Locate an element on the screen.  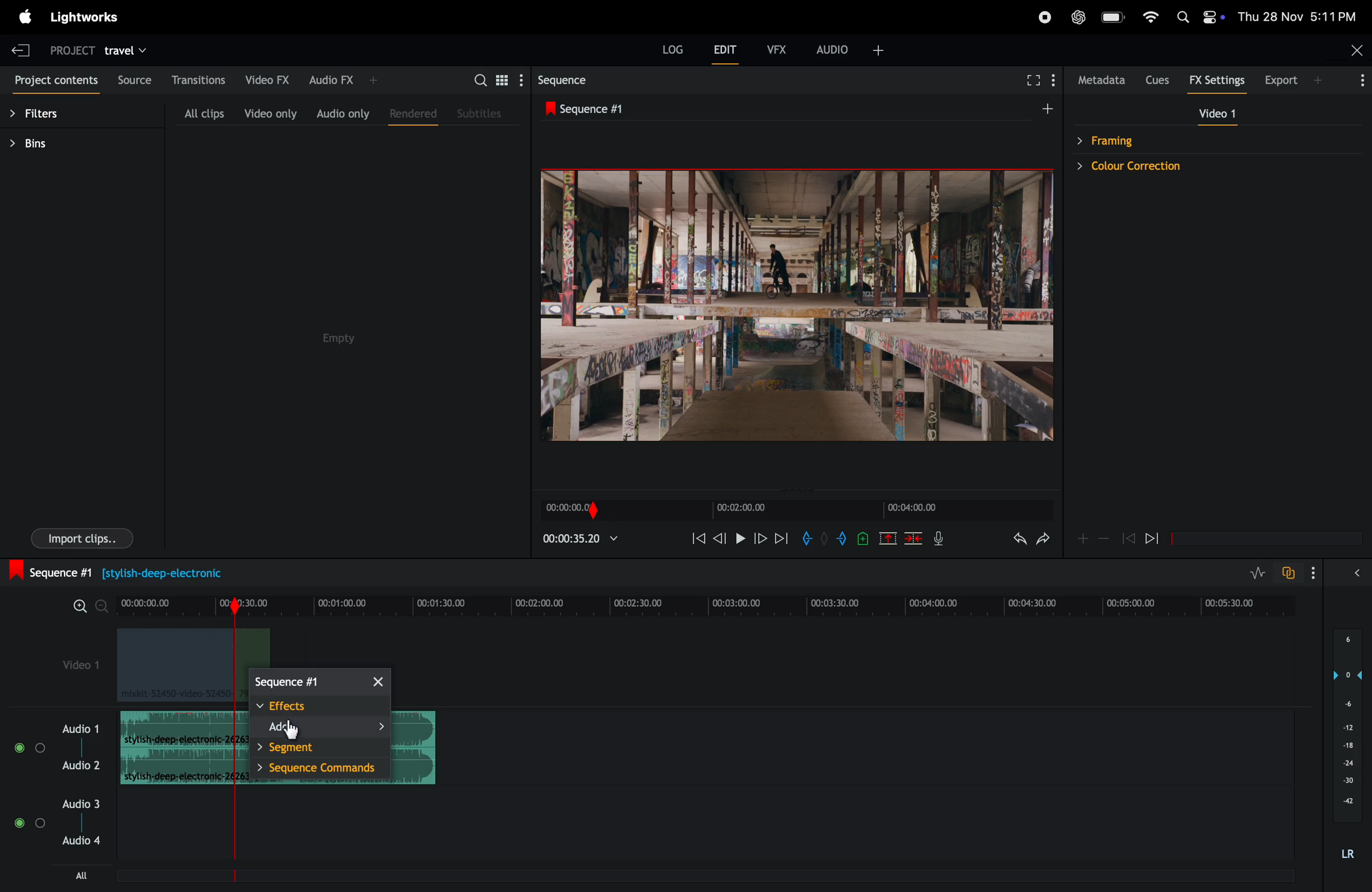
vfx is located at coordinates (777, 48).